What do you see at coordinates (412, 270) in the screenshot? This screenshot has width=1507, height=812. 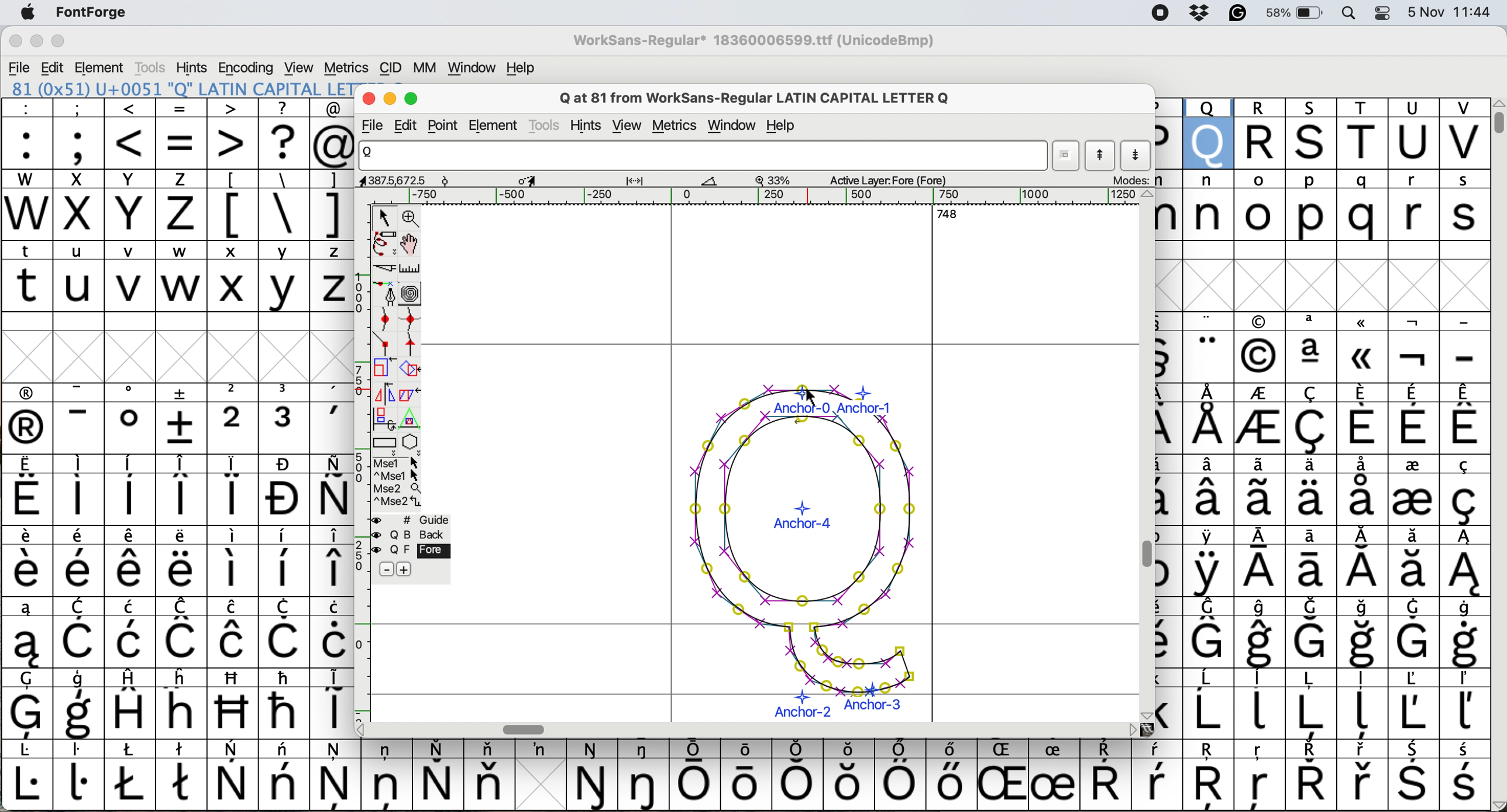 I see `measure distance` at bounding box center [412, 270].